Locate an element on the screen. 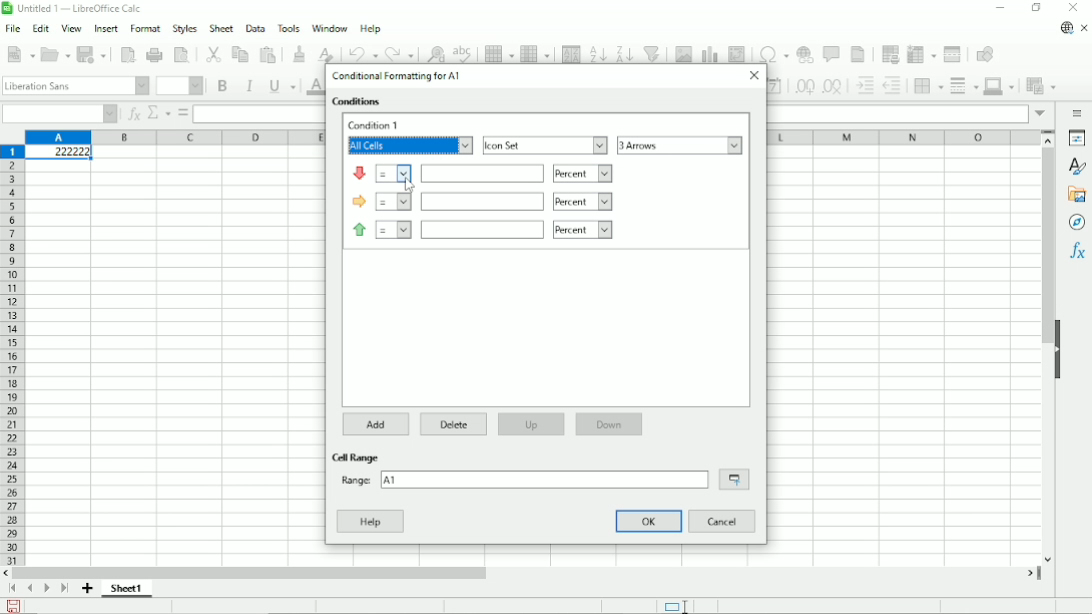 This screenshot has height=614, width=1092. Bold is located at coordinates (221, 85).